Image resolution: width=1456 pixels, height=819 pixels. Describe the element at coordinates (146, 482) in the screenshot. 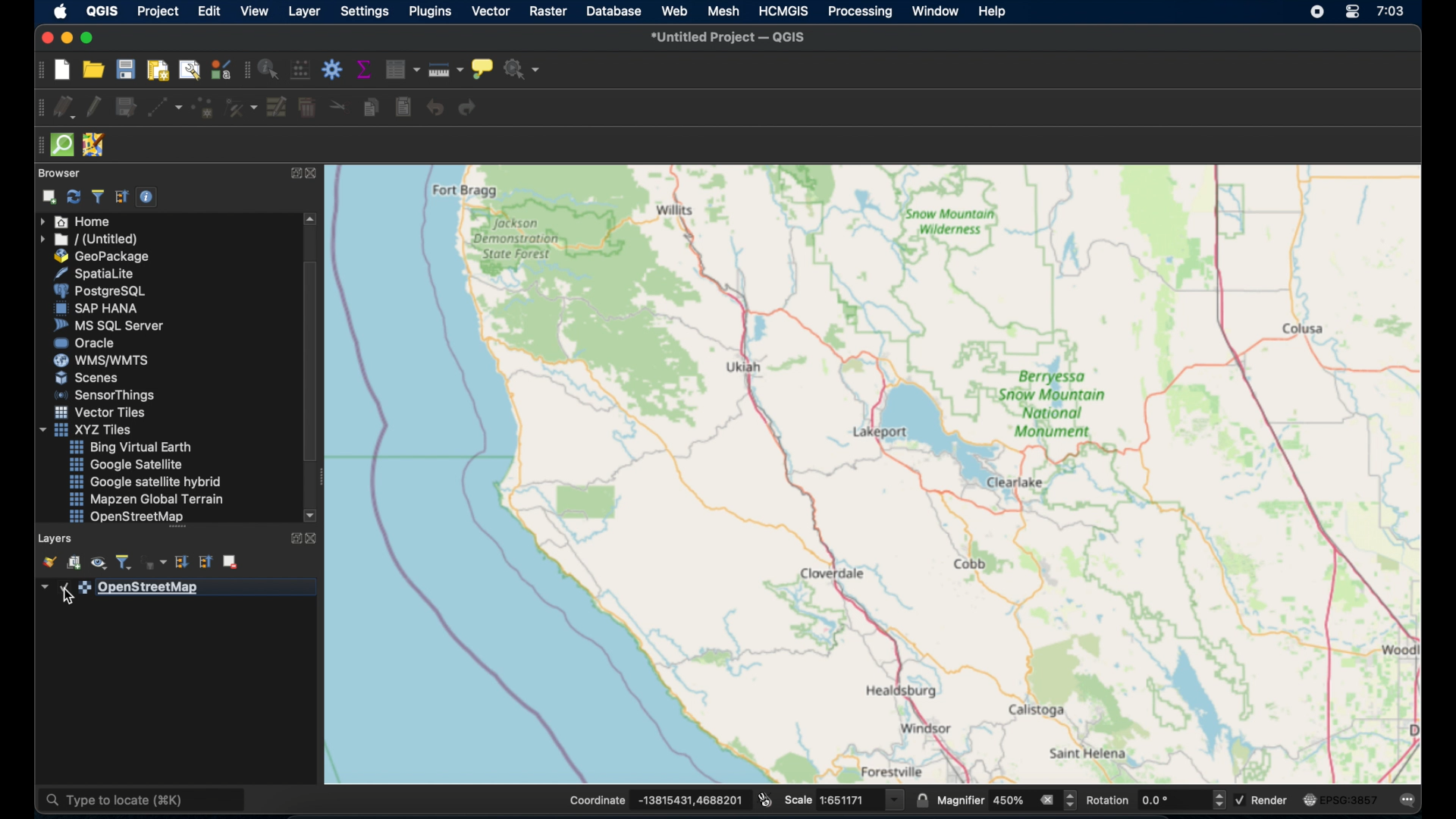

I see `google satellite hybrid` at that location.